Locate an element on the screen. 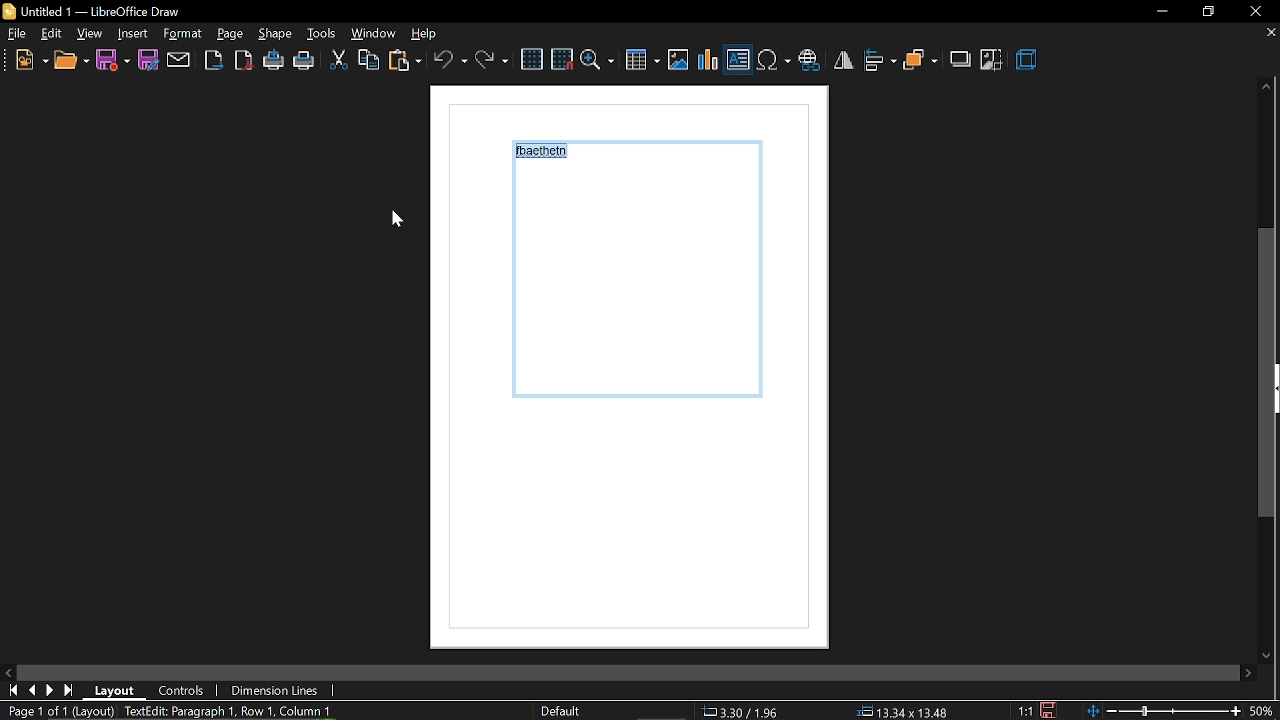 Image resolution: width=1280 pixels, height=720 pixels. snap to grid is located at coordinates (562, 58).